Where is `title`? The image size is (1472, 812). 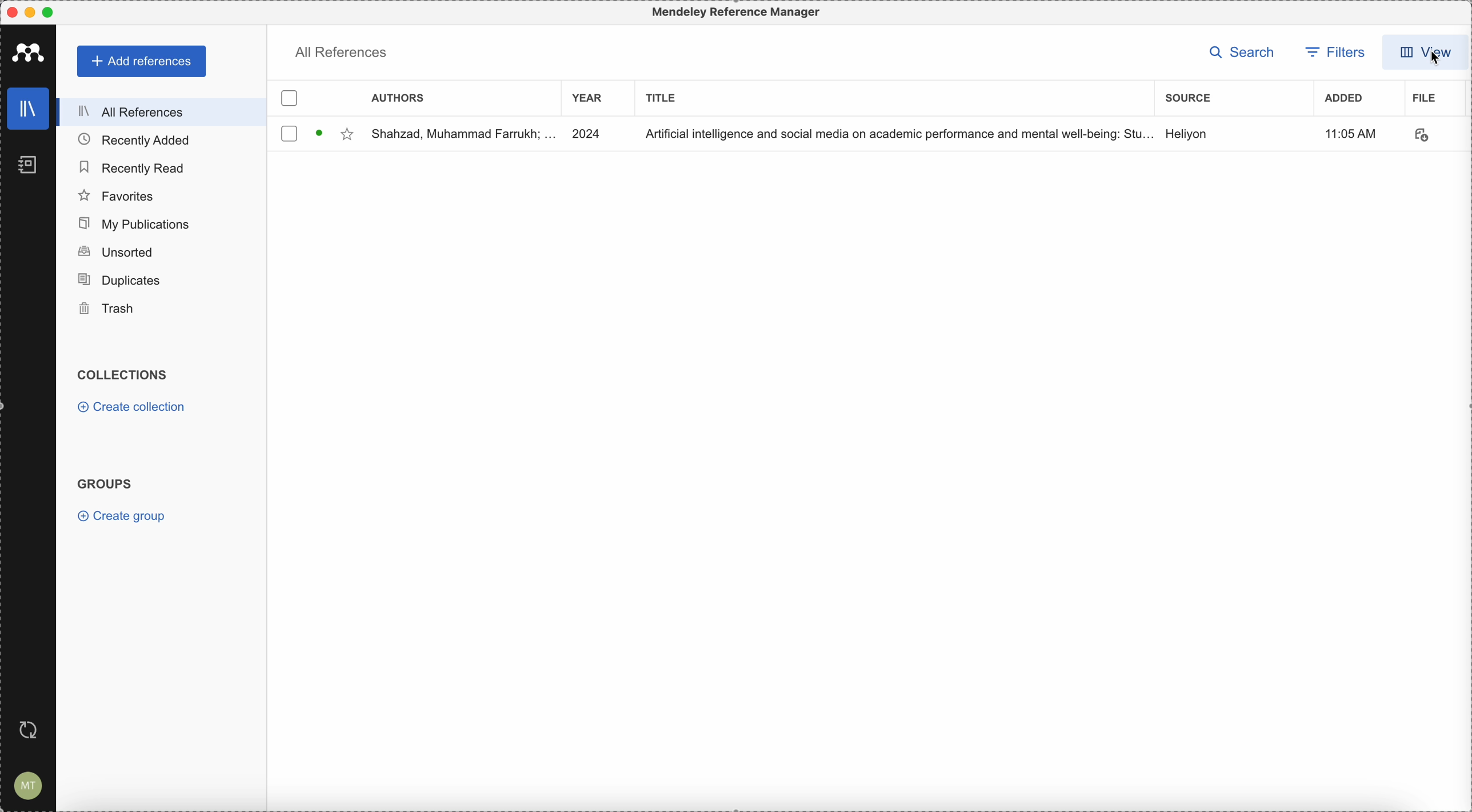
title is located at coordinates (663, 99).